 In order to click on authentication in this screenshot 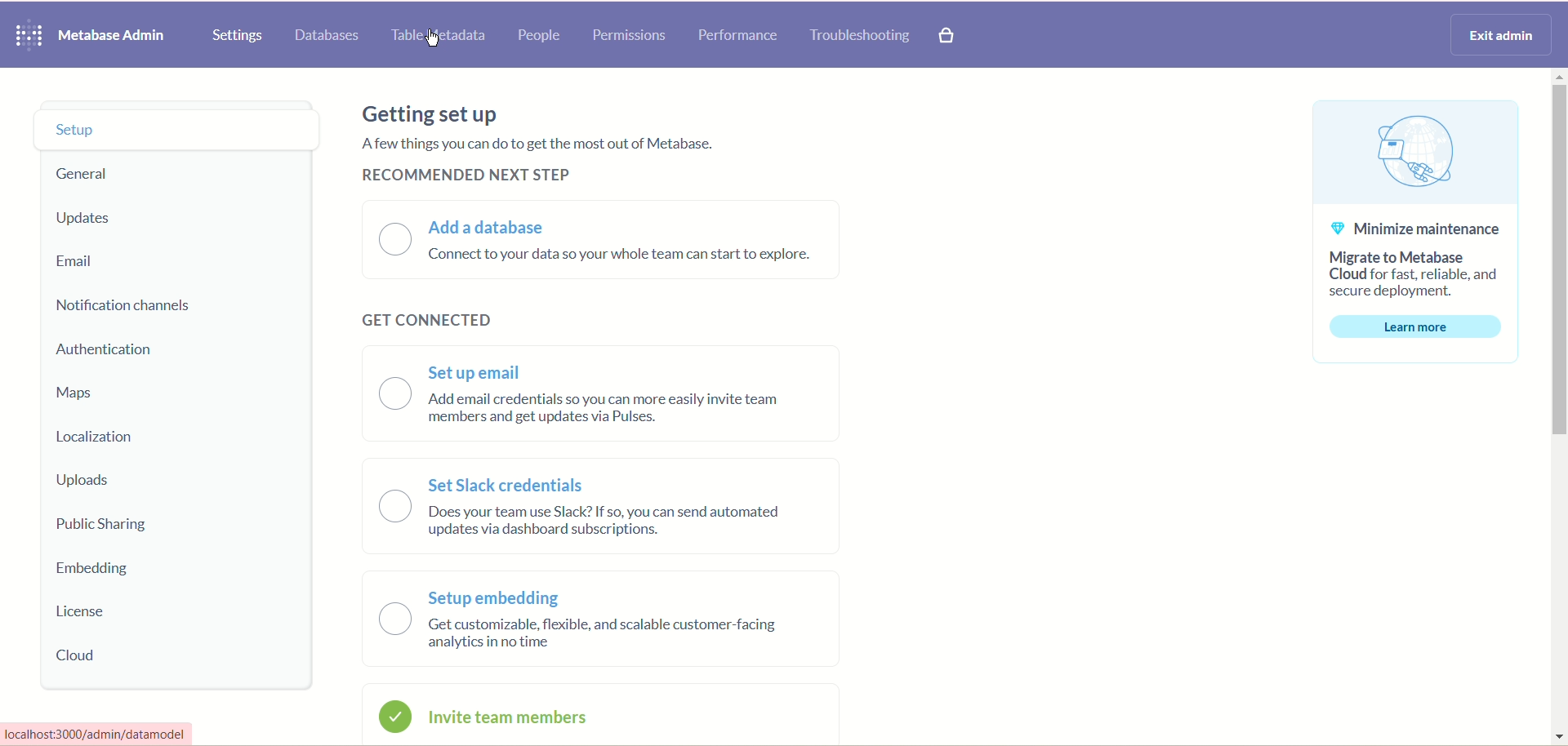, I will do `click(111, 352)`.